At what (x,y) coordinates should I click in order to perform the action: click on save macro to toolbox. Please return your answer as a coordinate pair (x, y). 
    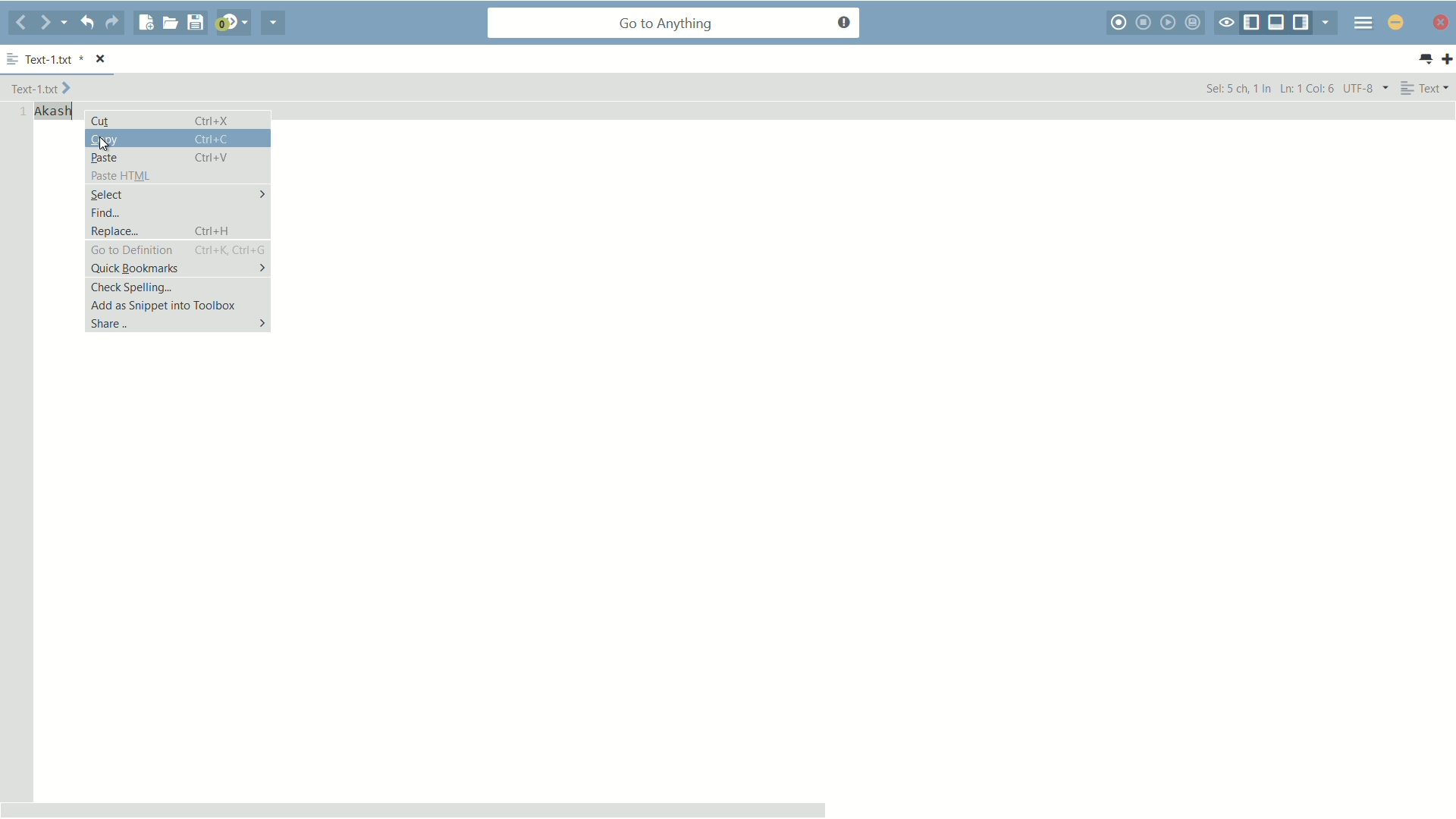
    Looking at the image, I should click on (1195, 22).